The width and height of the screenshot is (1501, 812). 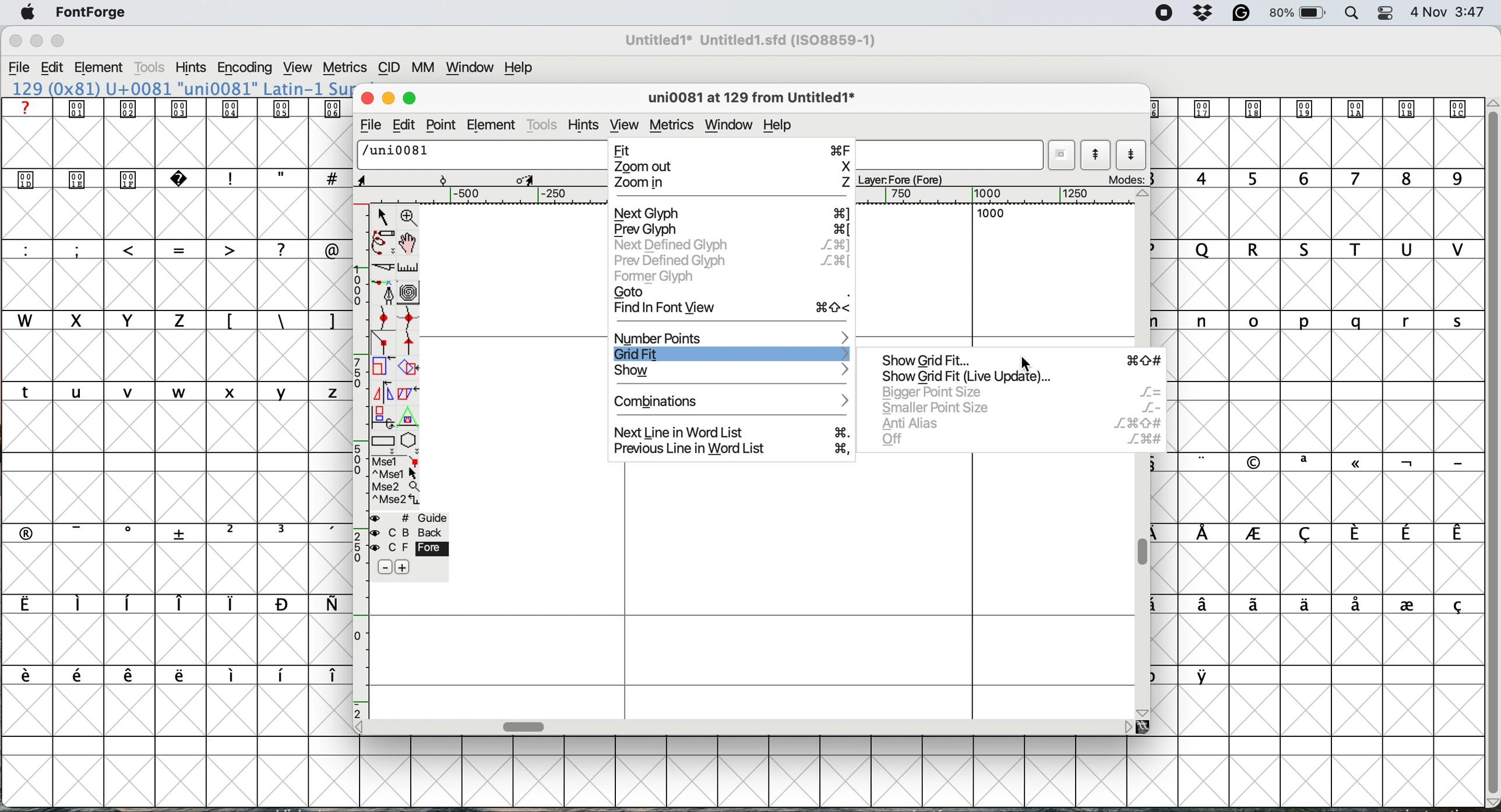 I want to click on rotate the selection, so click(x=407, y=369).